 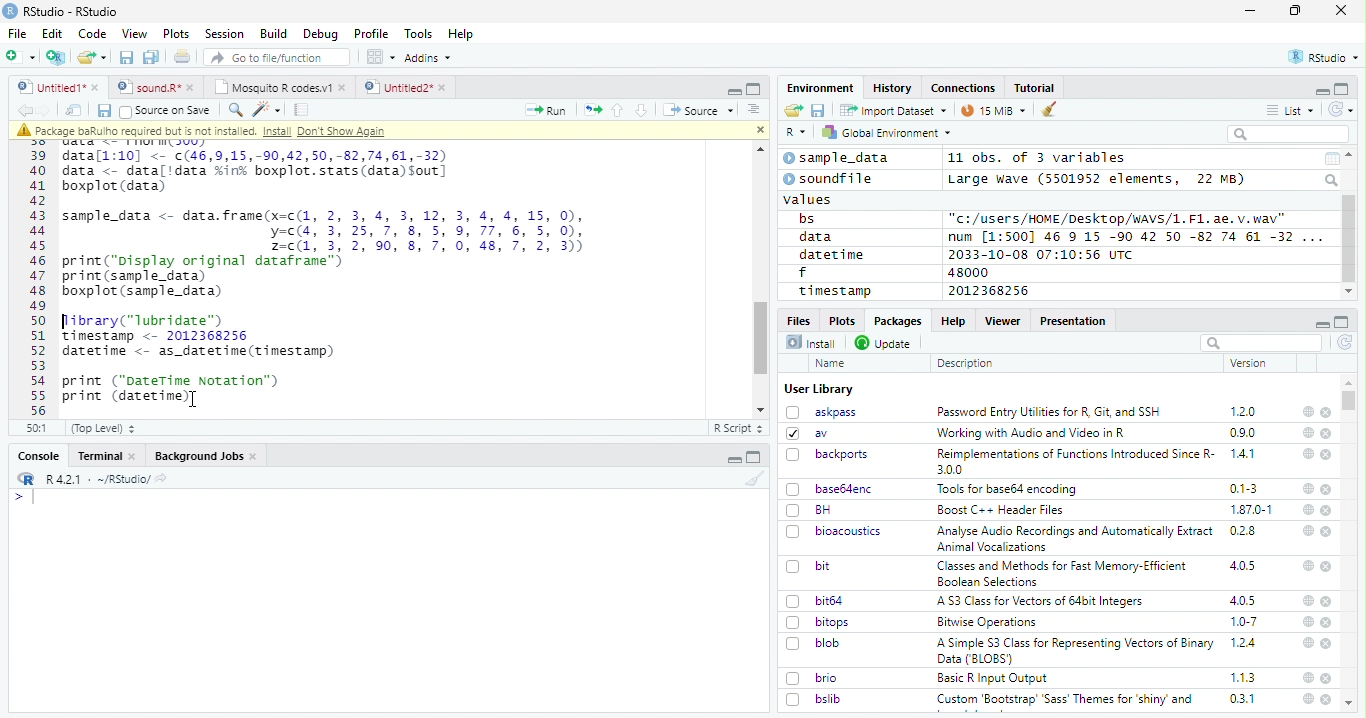 I want to click on Go to file/function, so click(x=278, y=57).